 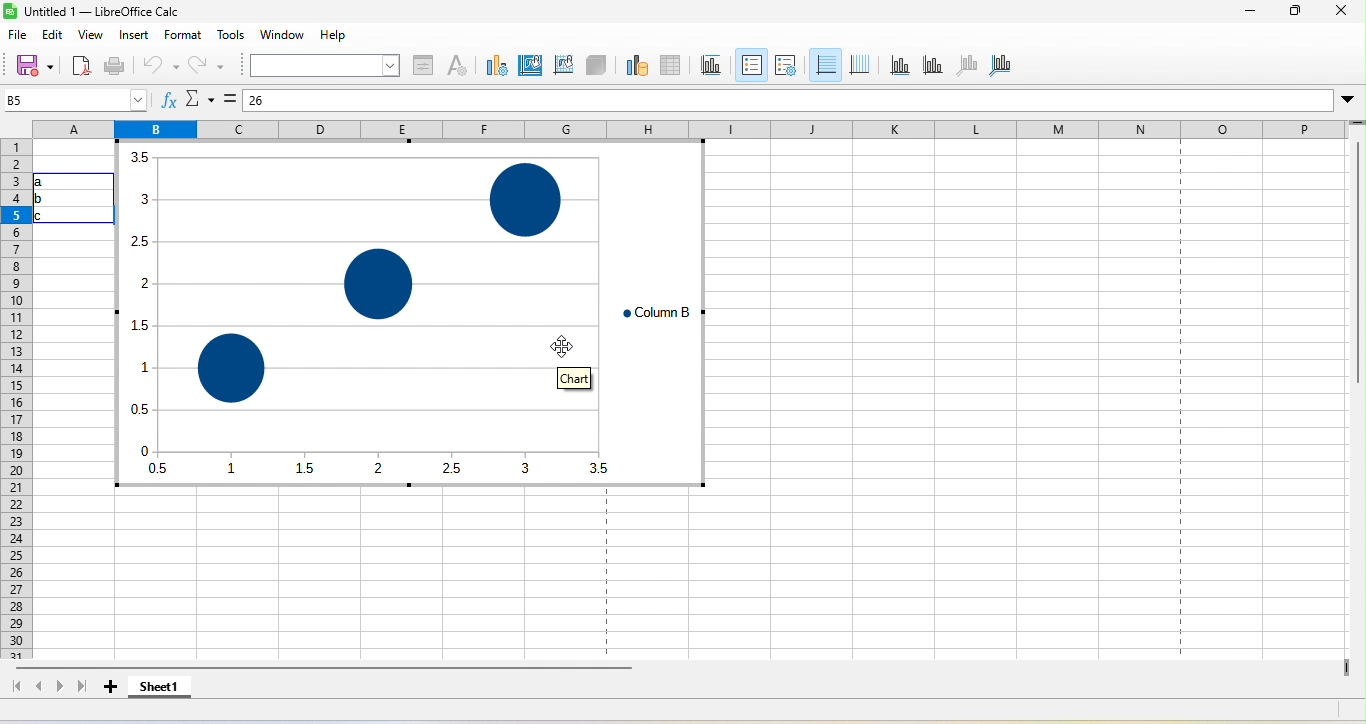 I want to click on function wizard, so click(x=163, y=99).